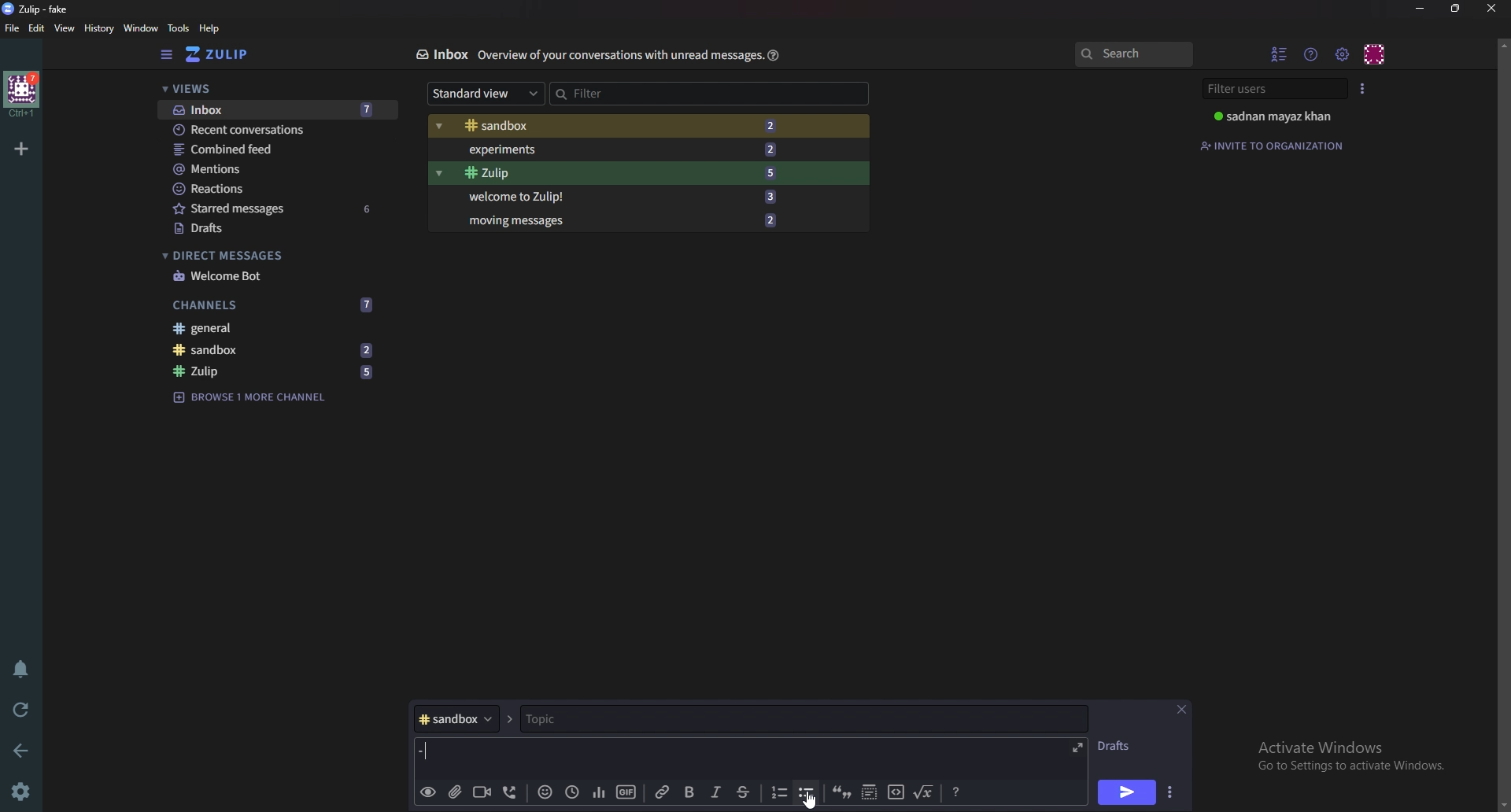  What do you see at coordinates (618, 195) in the screenshot?
I see `Welcome to zulip` at bounding box center [618, 195].